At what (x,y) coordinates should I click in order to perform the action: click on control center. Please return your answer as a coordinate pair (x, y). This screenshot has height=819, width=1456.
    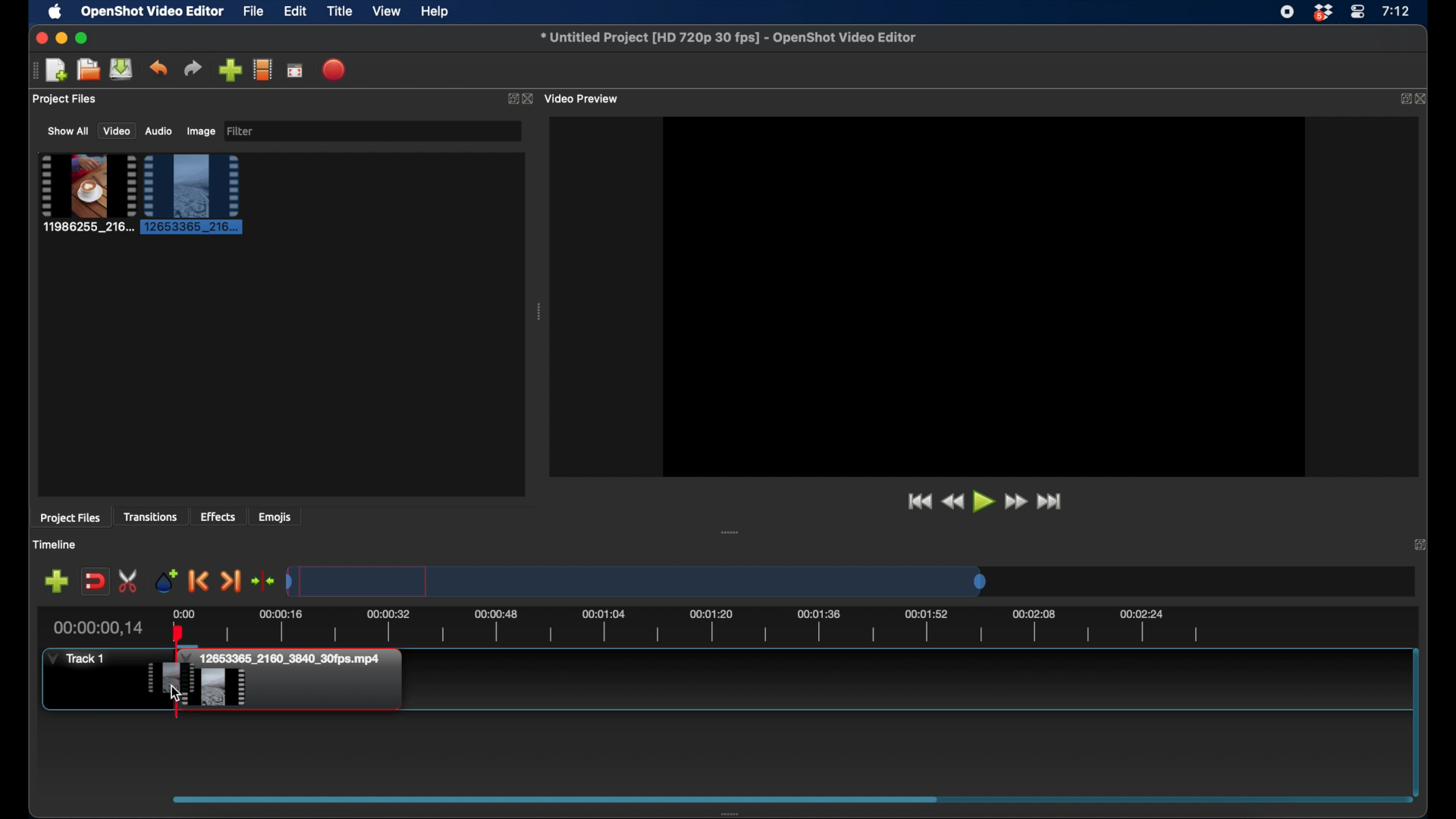
    Looking at the image, I should click on (1357, 12).